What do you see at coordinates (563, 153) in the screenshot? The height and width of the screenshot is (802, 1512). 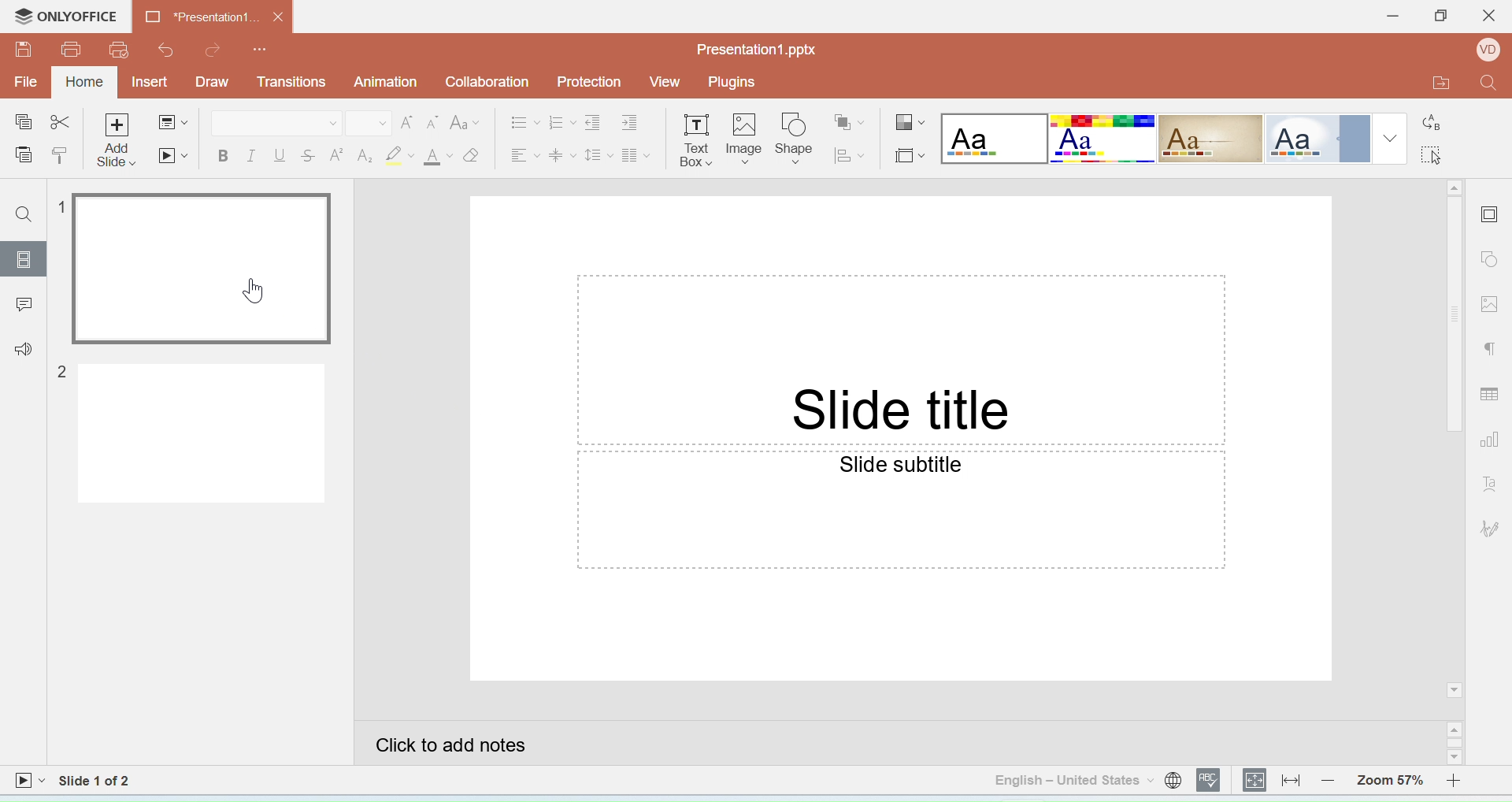 I see `Vertical align` at bounding box center [563, 153].